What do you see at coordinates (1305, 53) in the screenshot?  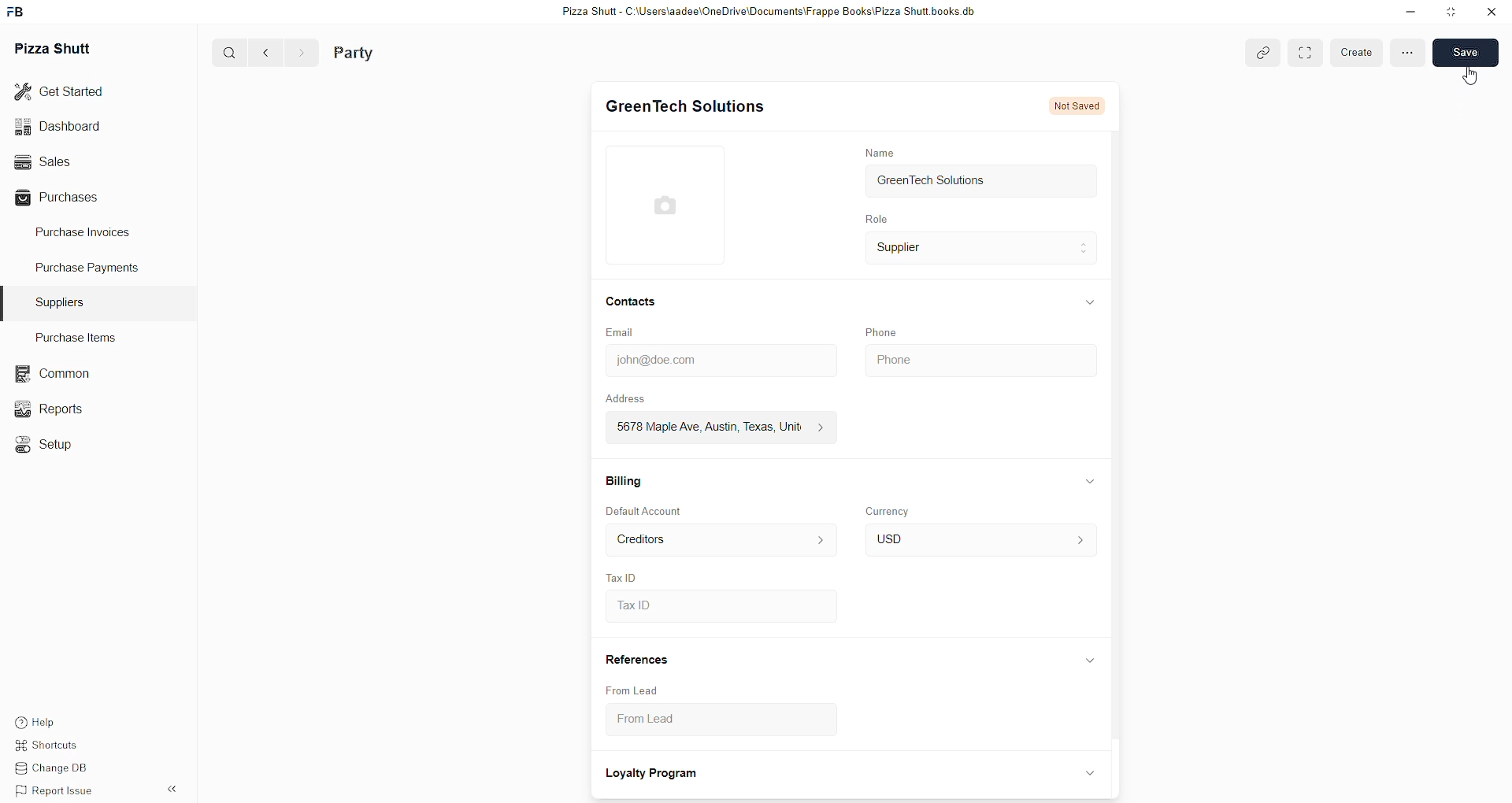 I see `fullscreen` at bounding box center [1305, 53].